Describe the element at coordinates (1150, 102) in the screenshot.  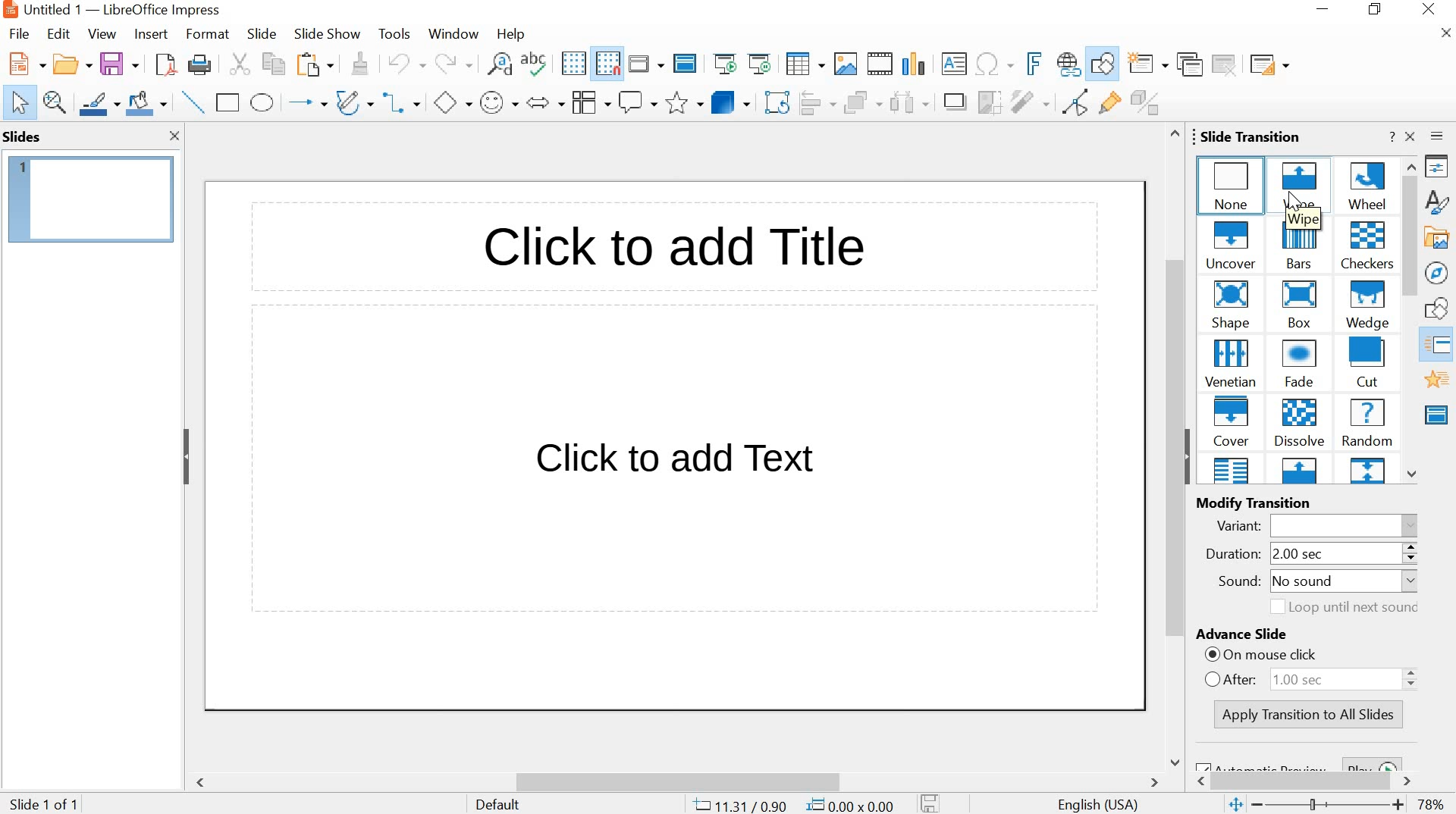
I see `Toggle Extrusion` at that location.